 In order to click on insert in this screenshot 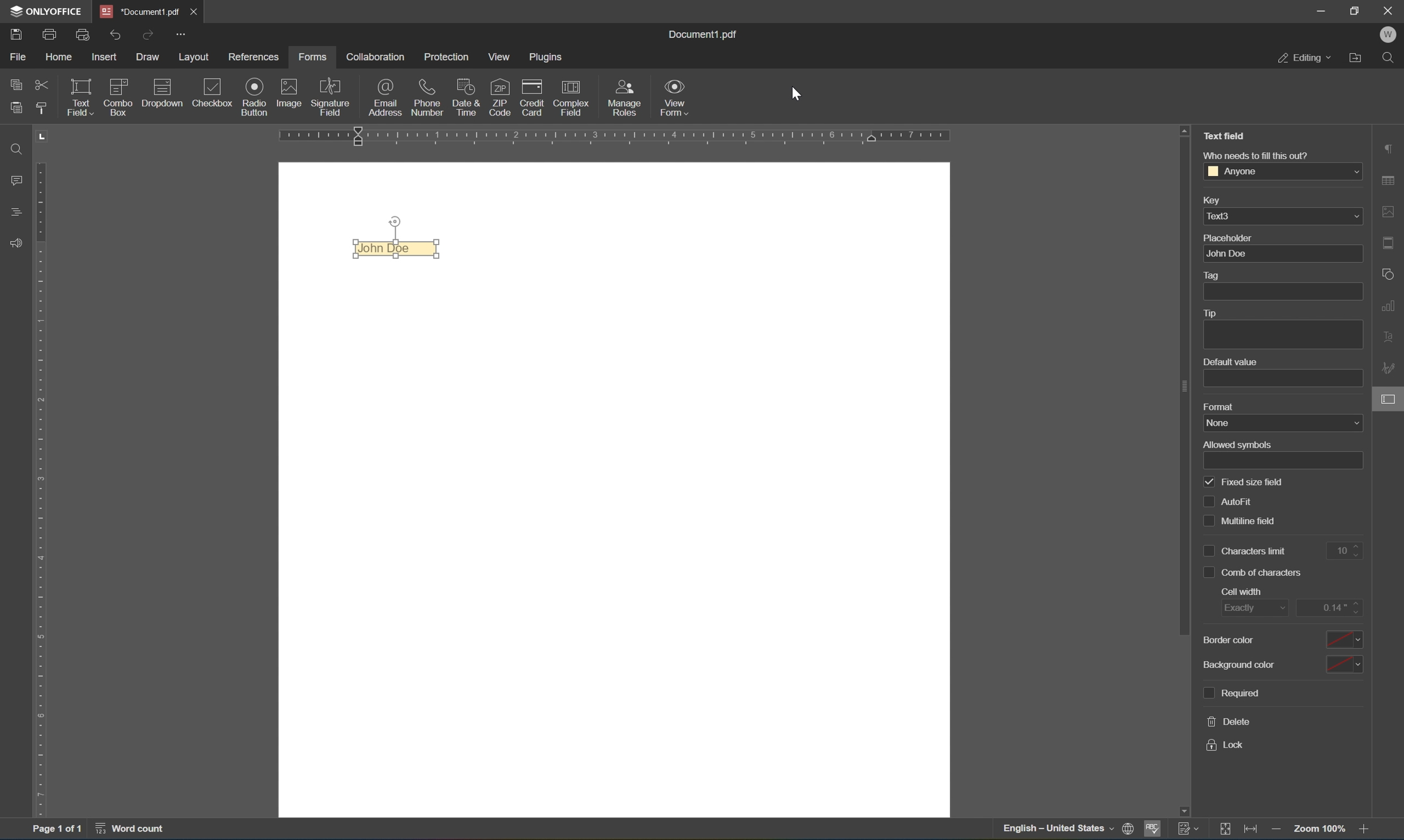, I will do `click(106, 57)`.